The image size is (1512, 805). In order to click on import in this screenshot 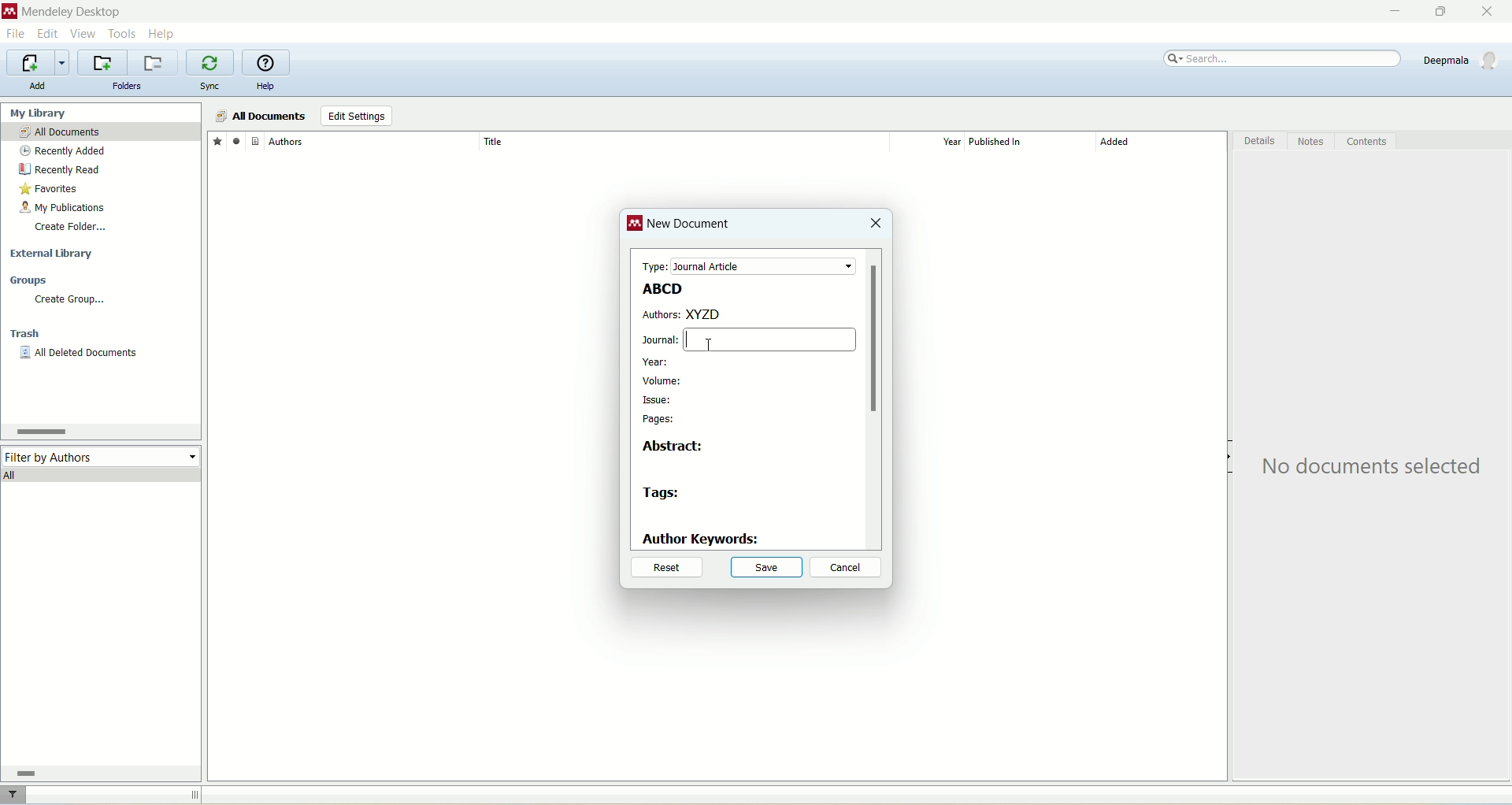, I will do `click(35, 63)`.